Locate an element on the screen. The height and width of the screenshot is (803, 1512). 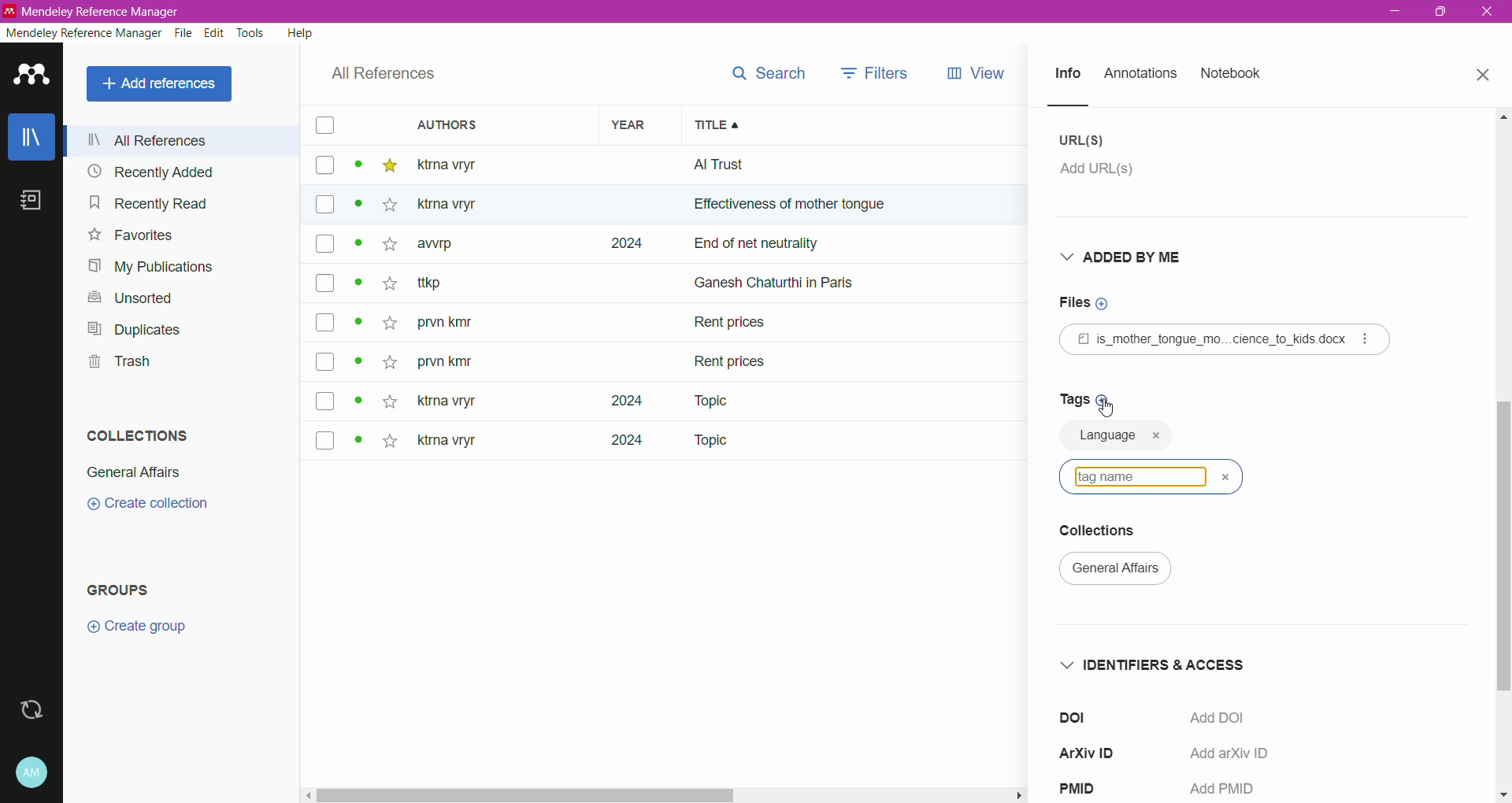
box is located at coordinates (324, 283).